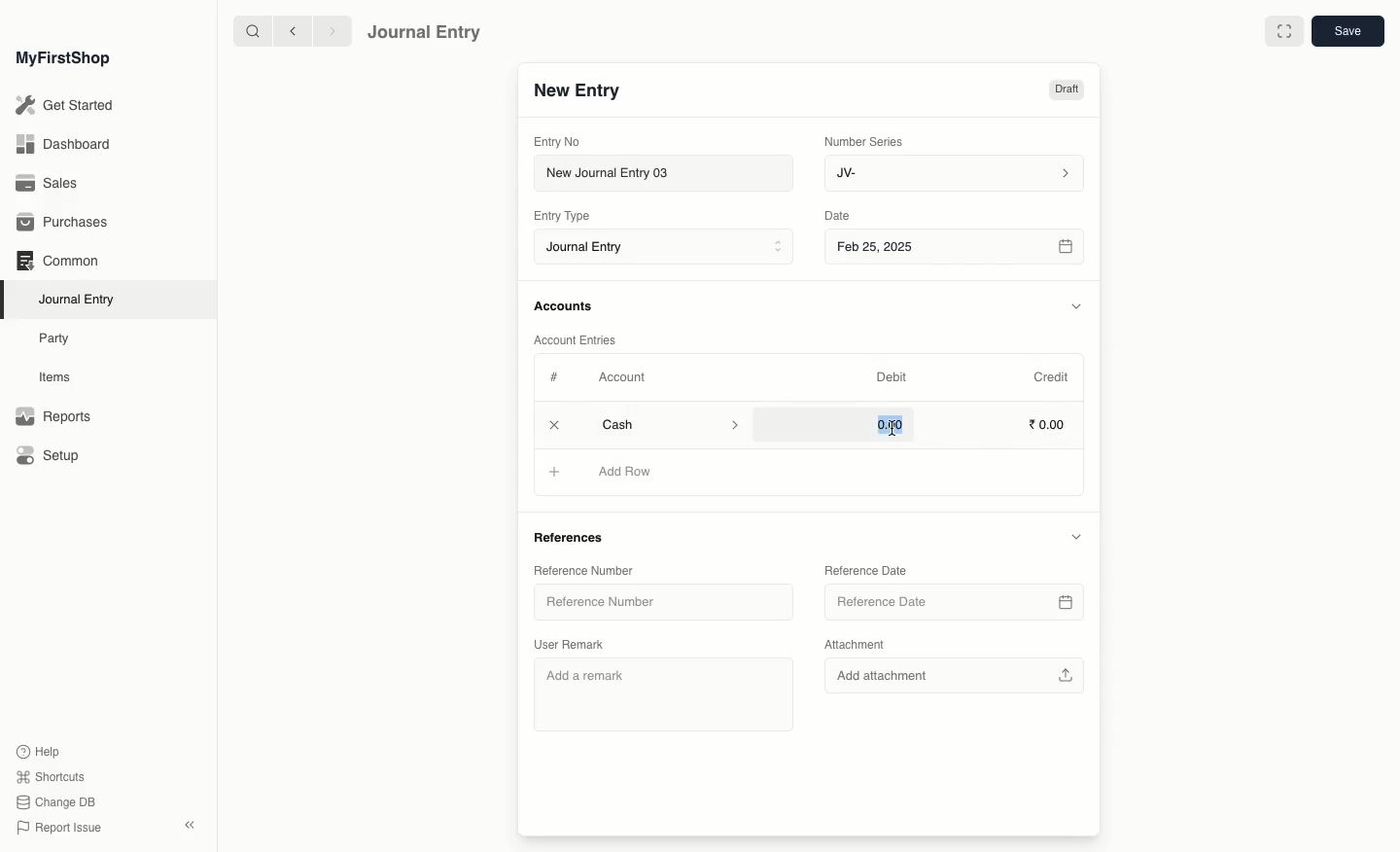 The height and width of the screenshot is (852, 1400). I want to click on cursor, so click(892, 428).